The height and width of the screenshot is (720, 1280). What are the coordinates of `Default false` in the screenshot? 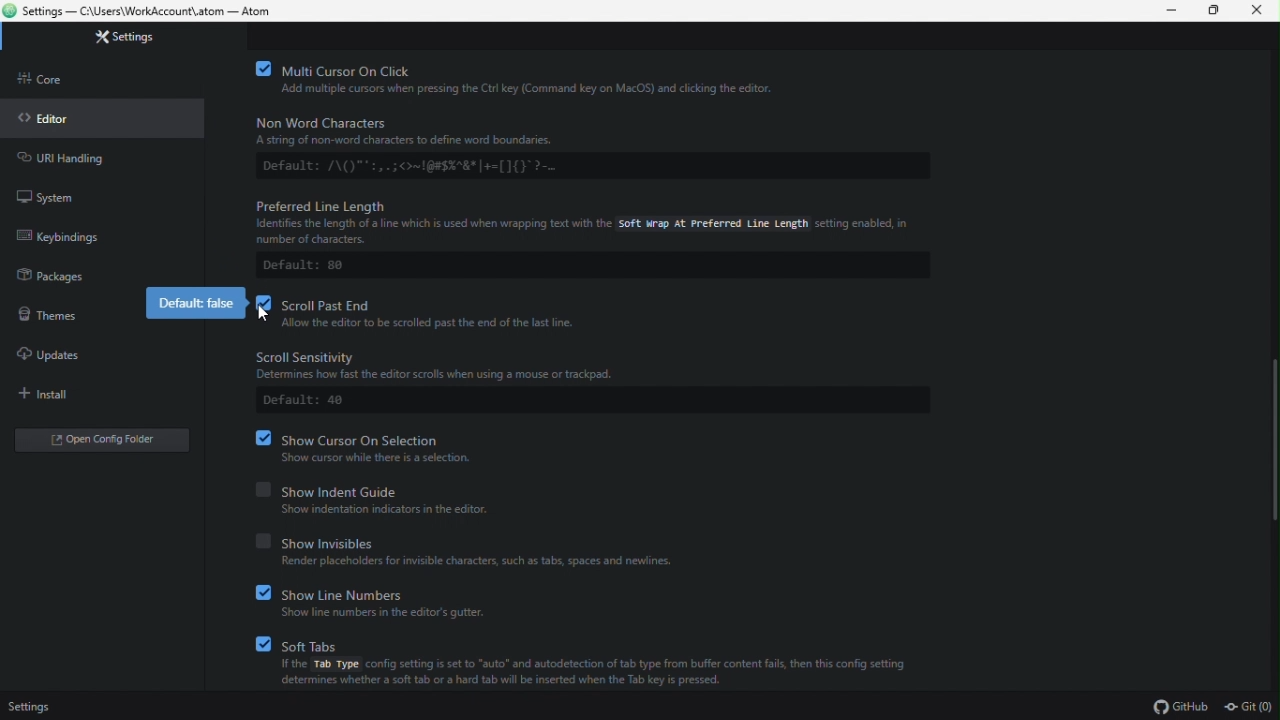 It's located at (195, 303).